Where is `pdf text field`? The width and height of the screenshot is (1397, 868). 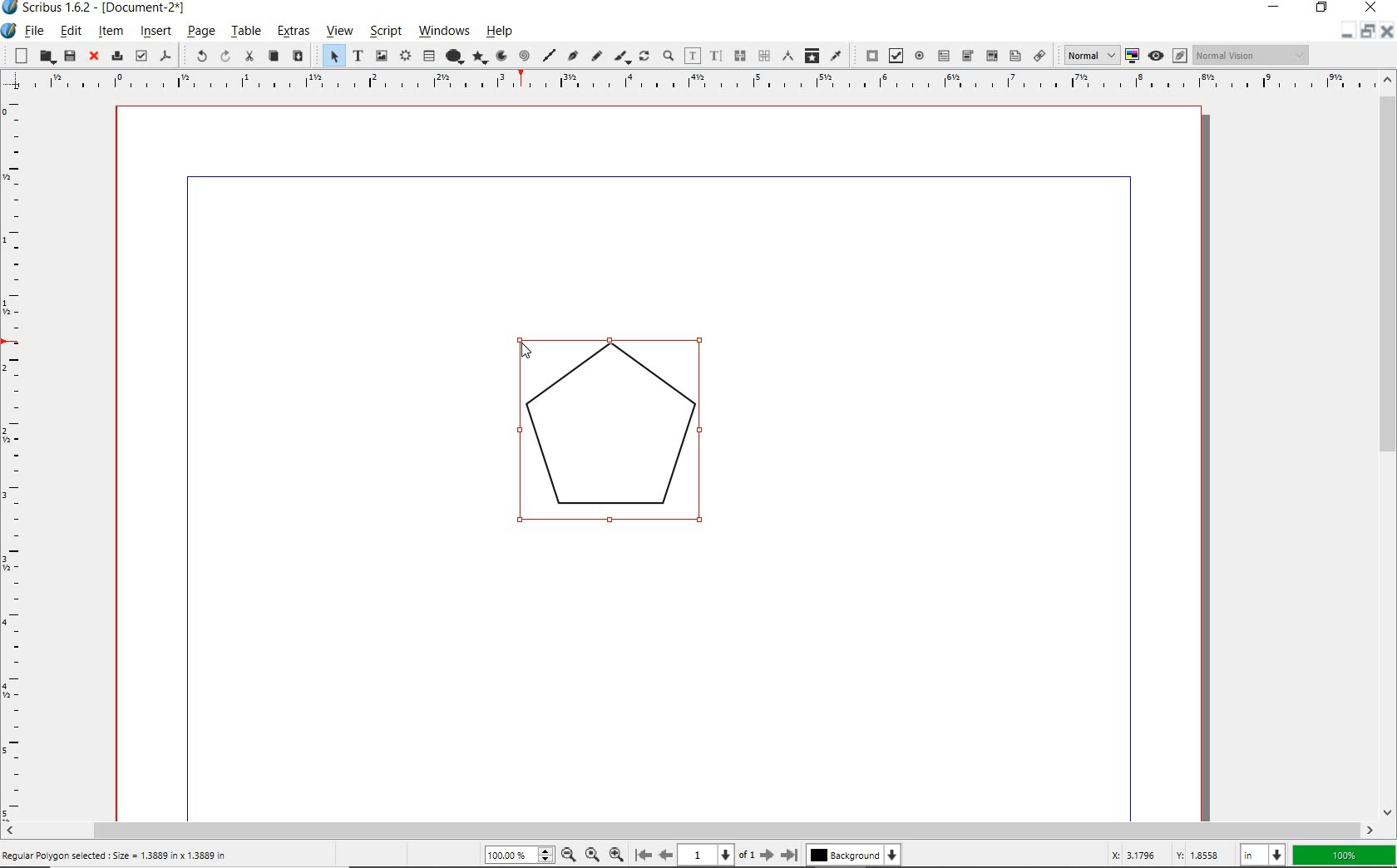
pdf text field is located at coordinates (945, 55).